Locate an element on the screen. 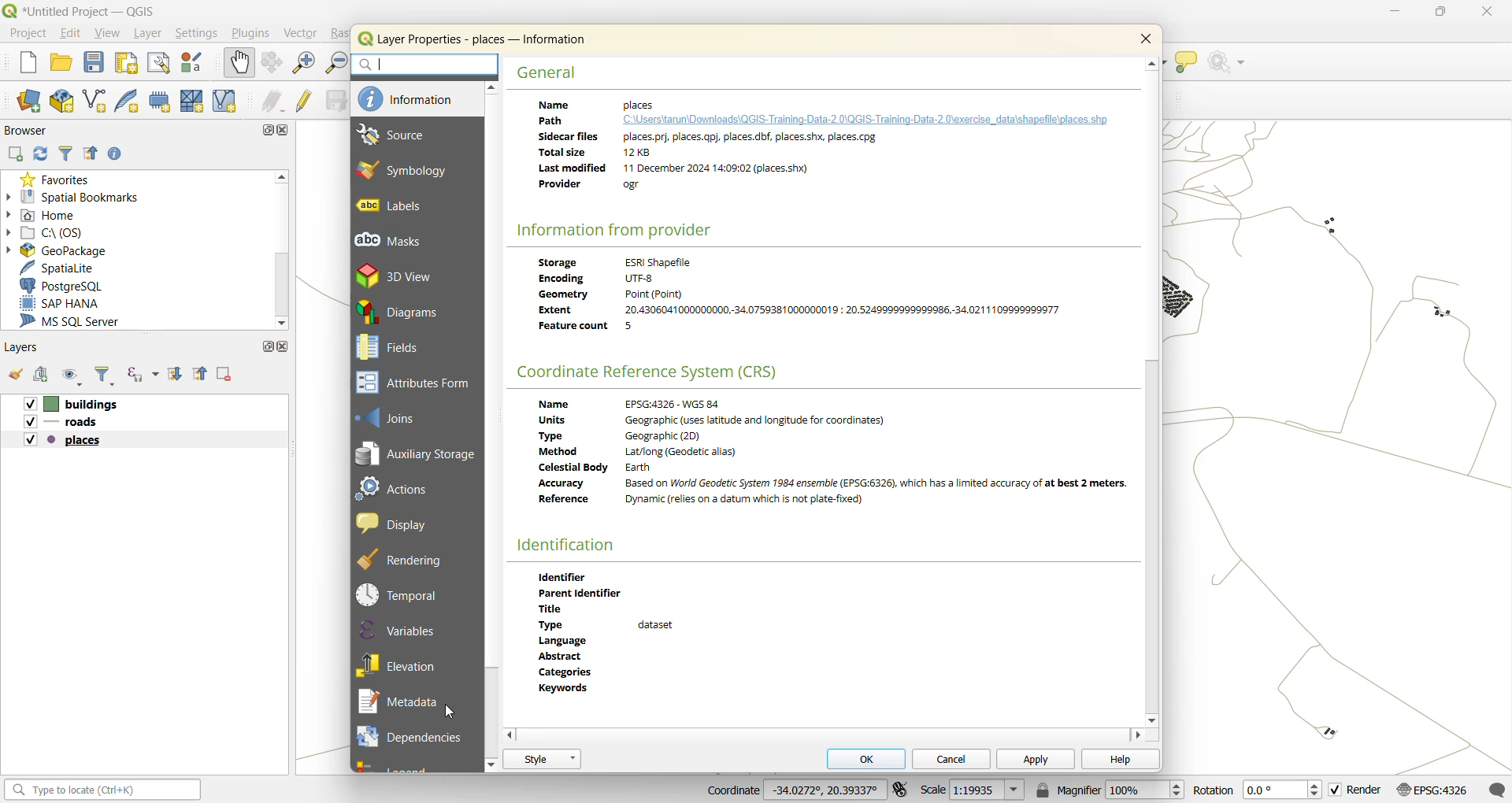  scale is located at coordinates (976, 791).